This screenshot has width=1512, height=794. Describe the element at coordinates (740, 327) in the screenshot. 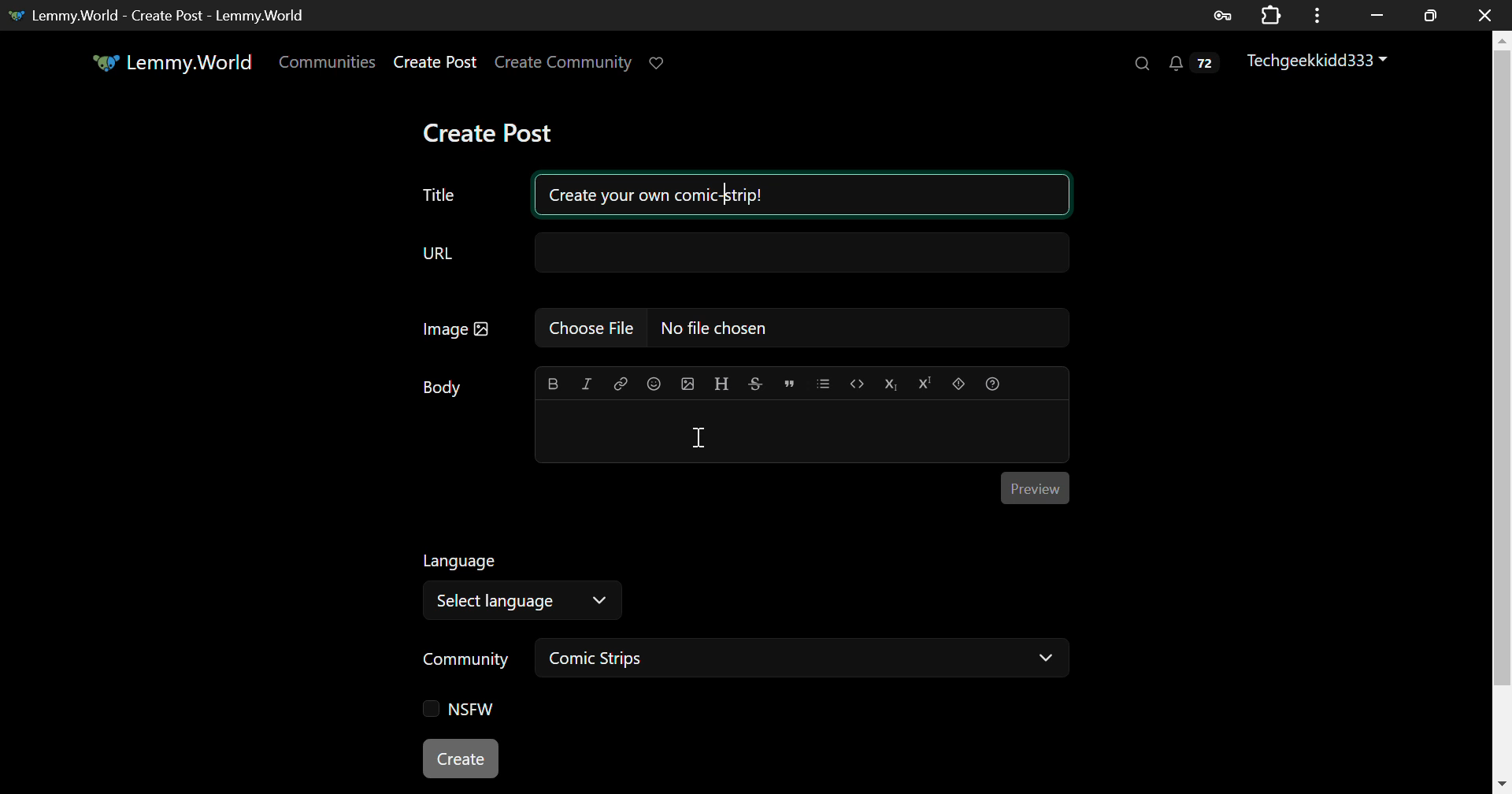

I see `Image Field` at that location.